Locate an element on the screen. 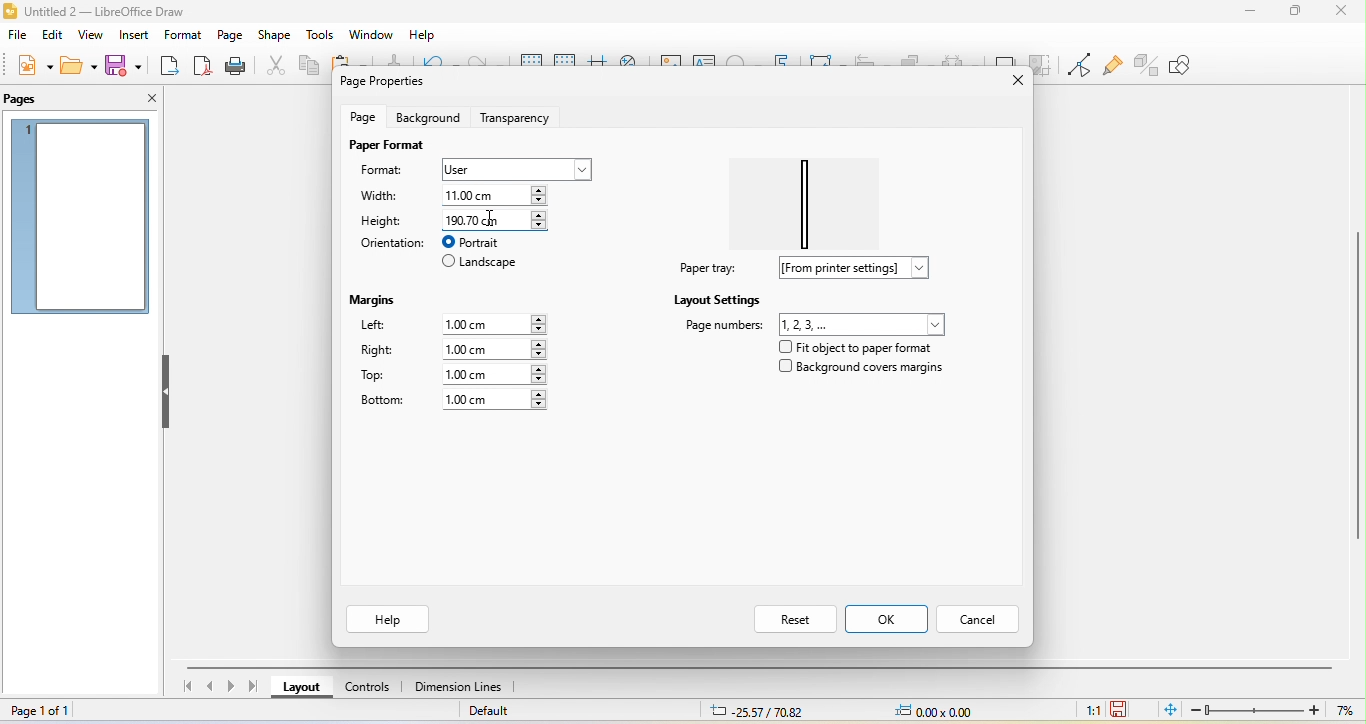  layout settings is located at coordinates (718, 299).